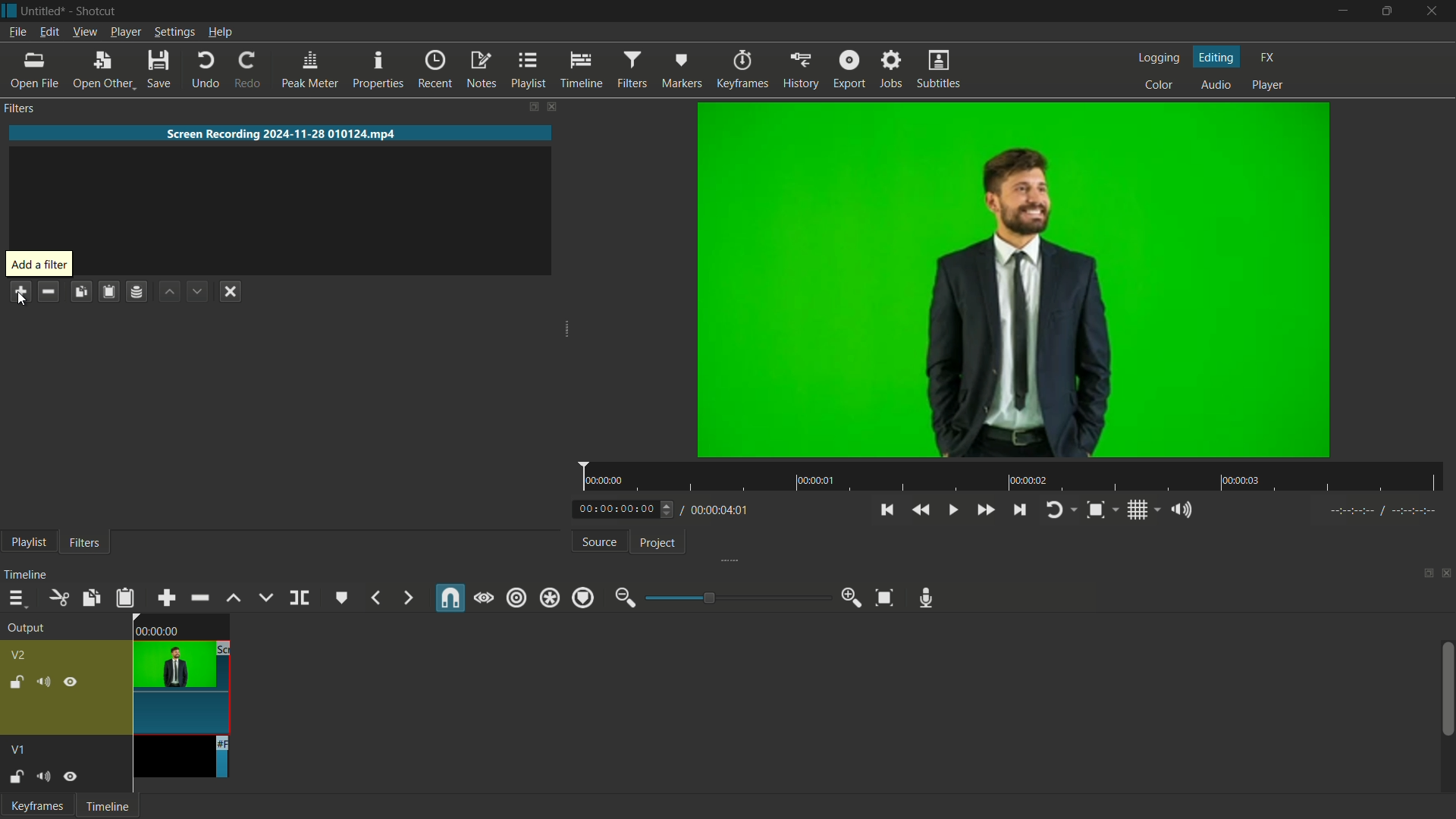 This screenshot has height=819, width=1456. Describe the element at coordinates (25, 575) in the screenshot. I see `timeline` at that location.